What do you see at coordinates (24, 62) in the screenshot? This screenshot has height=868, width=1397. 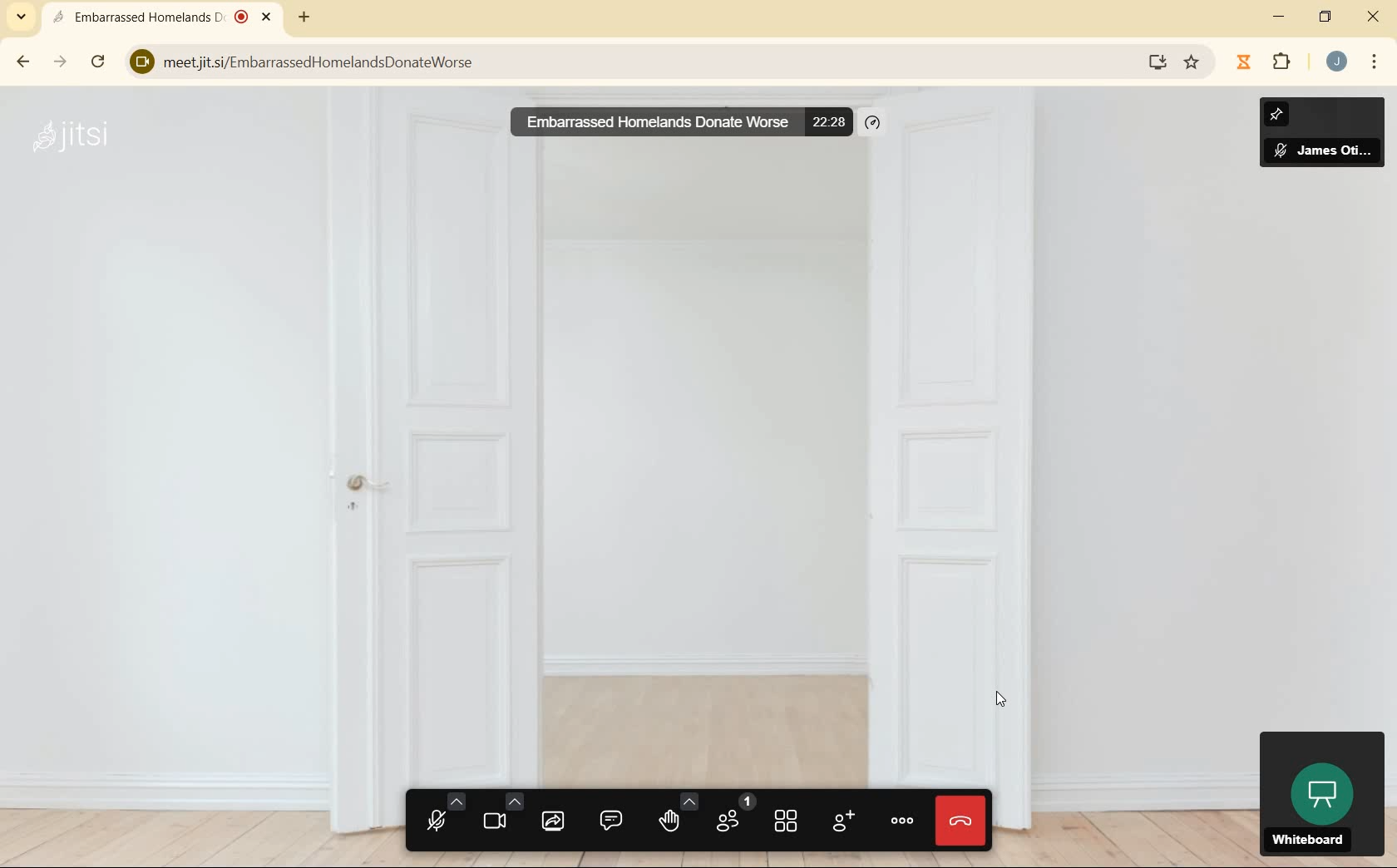 I see `back` at bounding box center [24, 62].